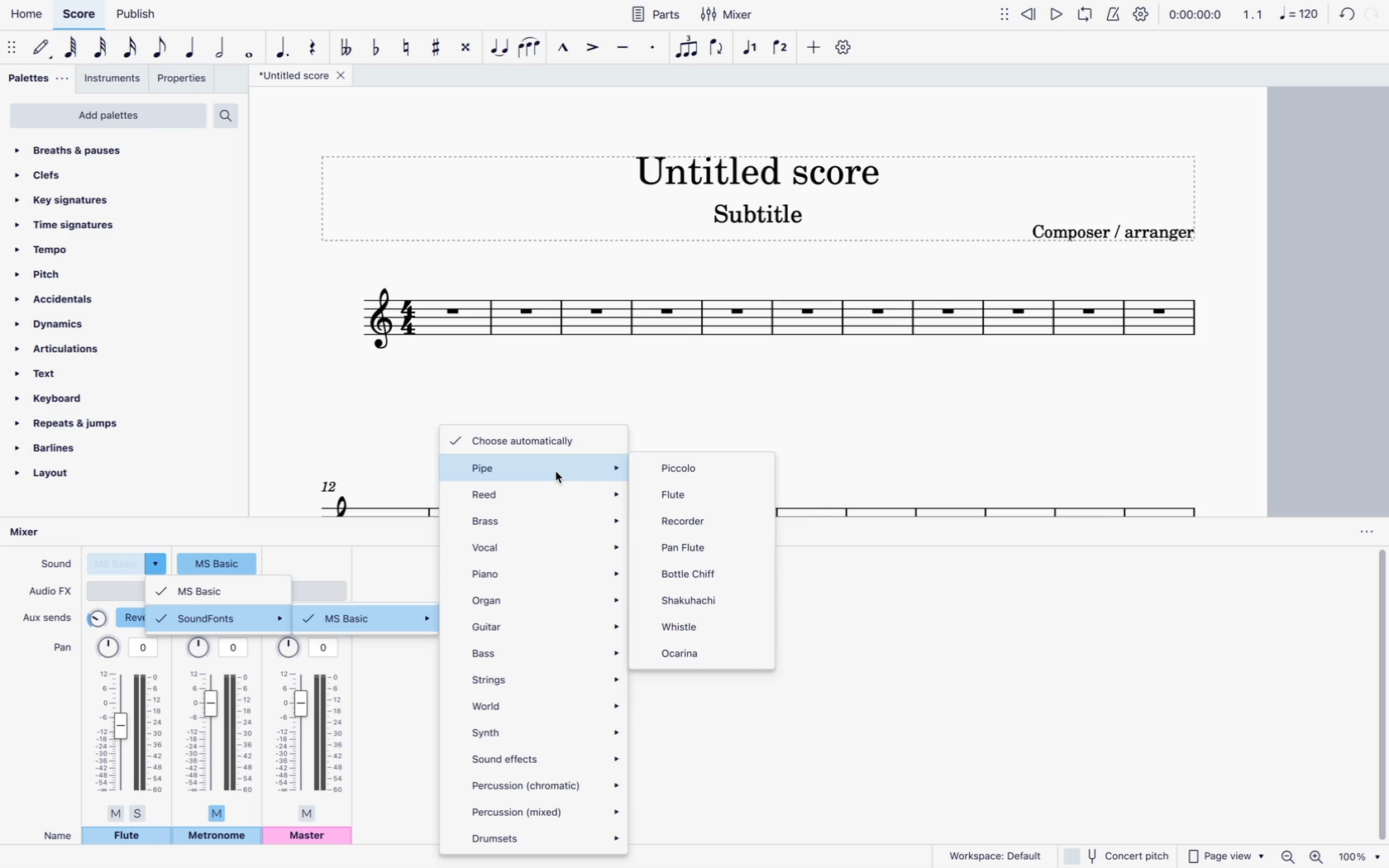 The image size is (1389, 868). What do you see at coordinates (58, 398) in the screenshot?
I see `keyboard` at bounding box center [58, 398].